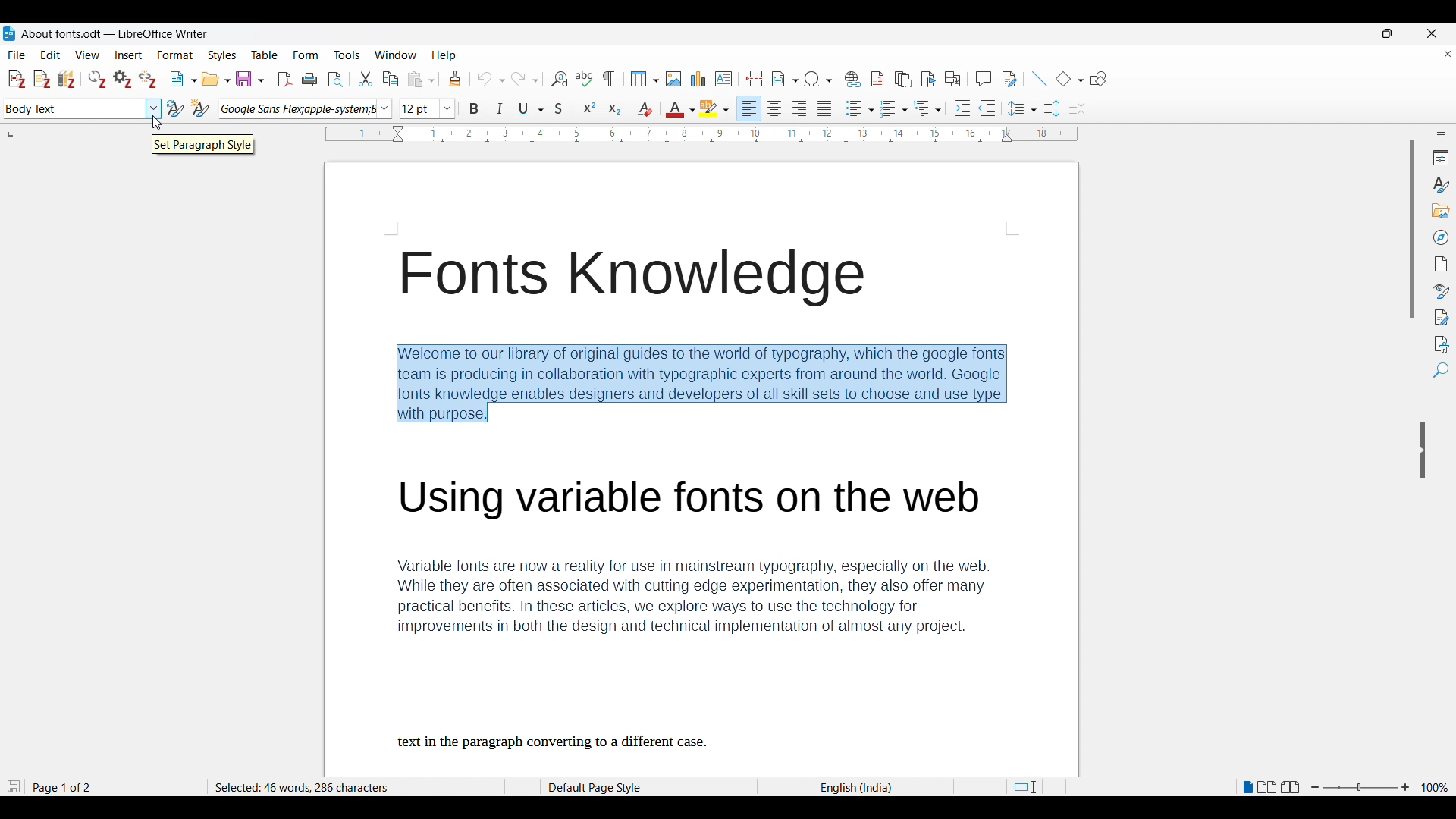  I want to click on Style inspector, so click(1442, 291).